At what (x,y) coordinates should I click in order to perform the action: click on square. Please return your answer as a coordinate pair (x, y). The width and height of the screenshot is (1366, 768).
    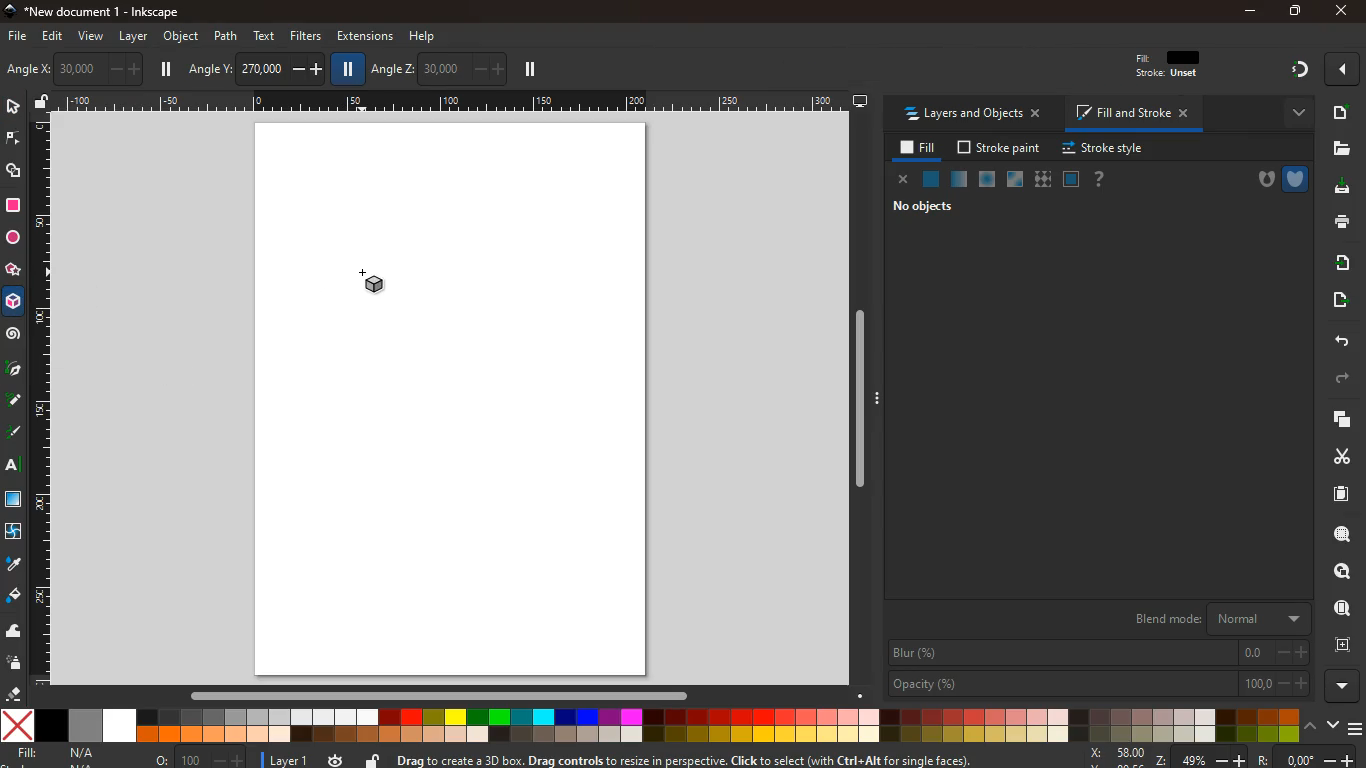
    Looking at the image, I should click on (13, 205).